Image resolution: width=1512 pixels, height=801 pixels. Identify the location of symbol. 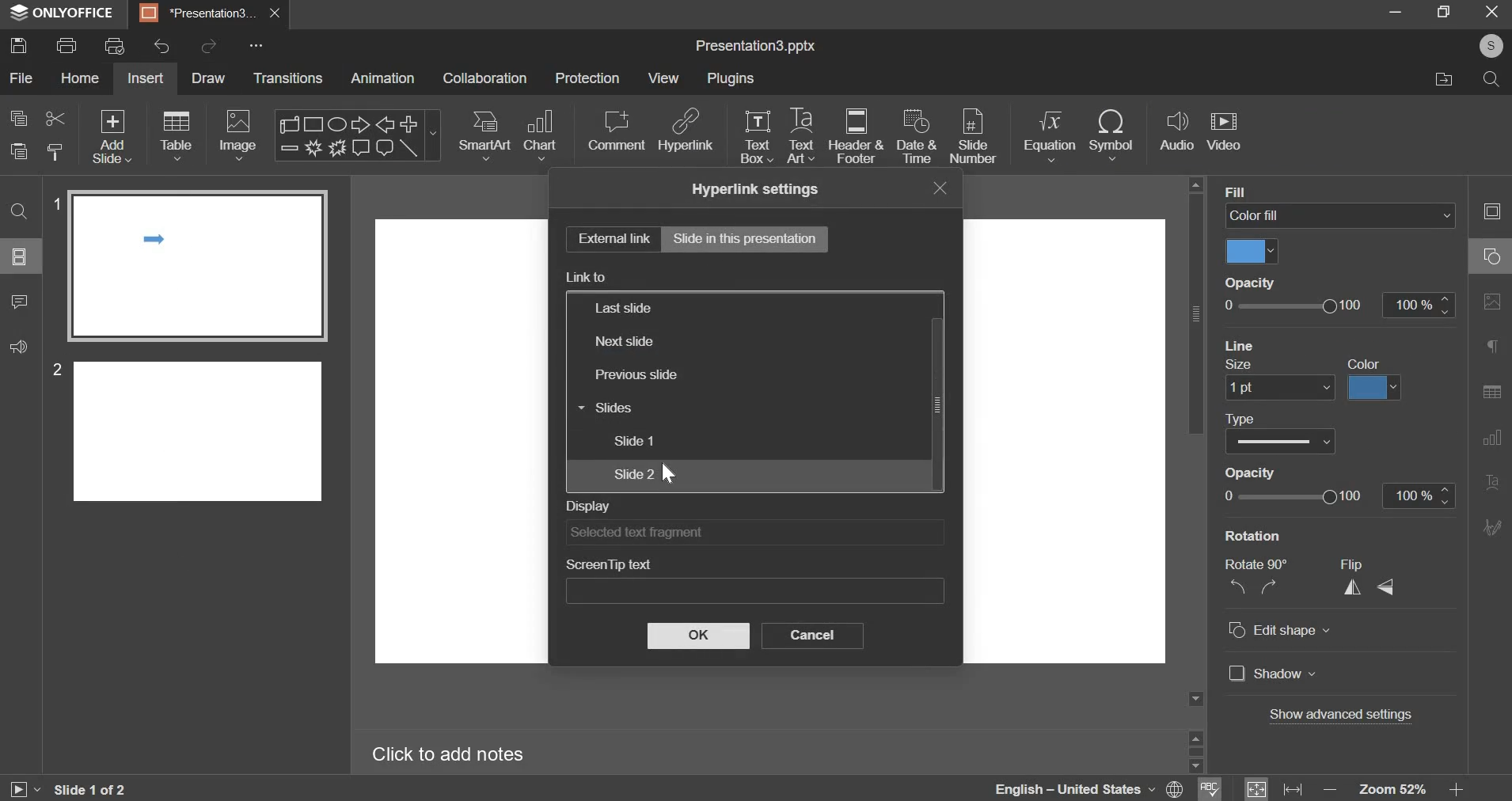
(1111, 135).